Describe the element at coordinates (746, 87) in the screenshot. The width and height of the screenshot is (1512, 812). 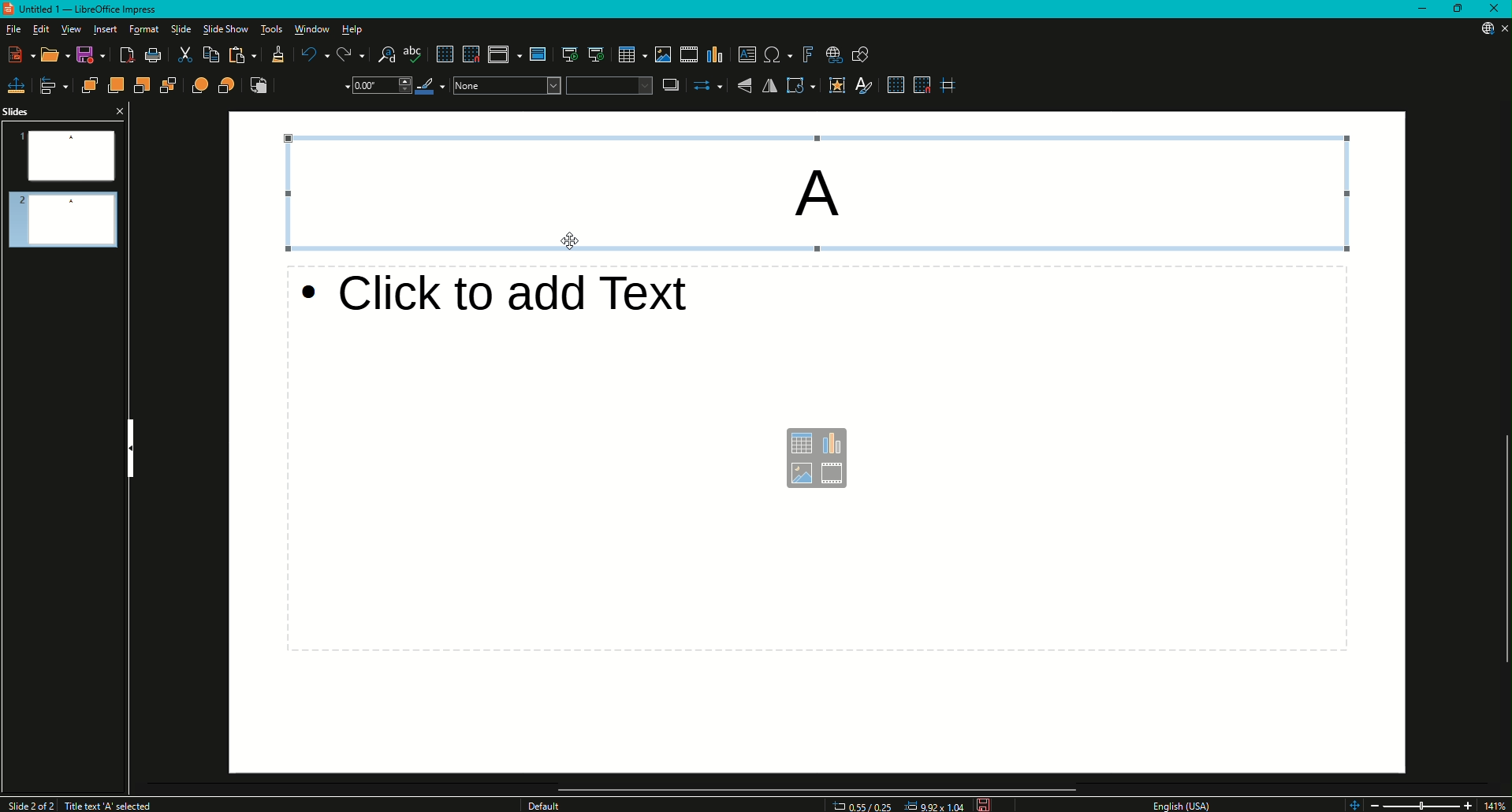
I see `Vertically` at that location.